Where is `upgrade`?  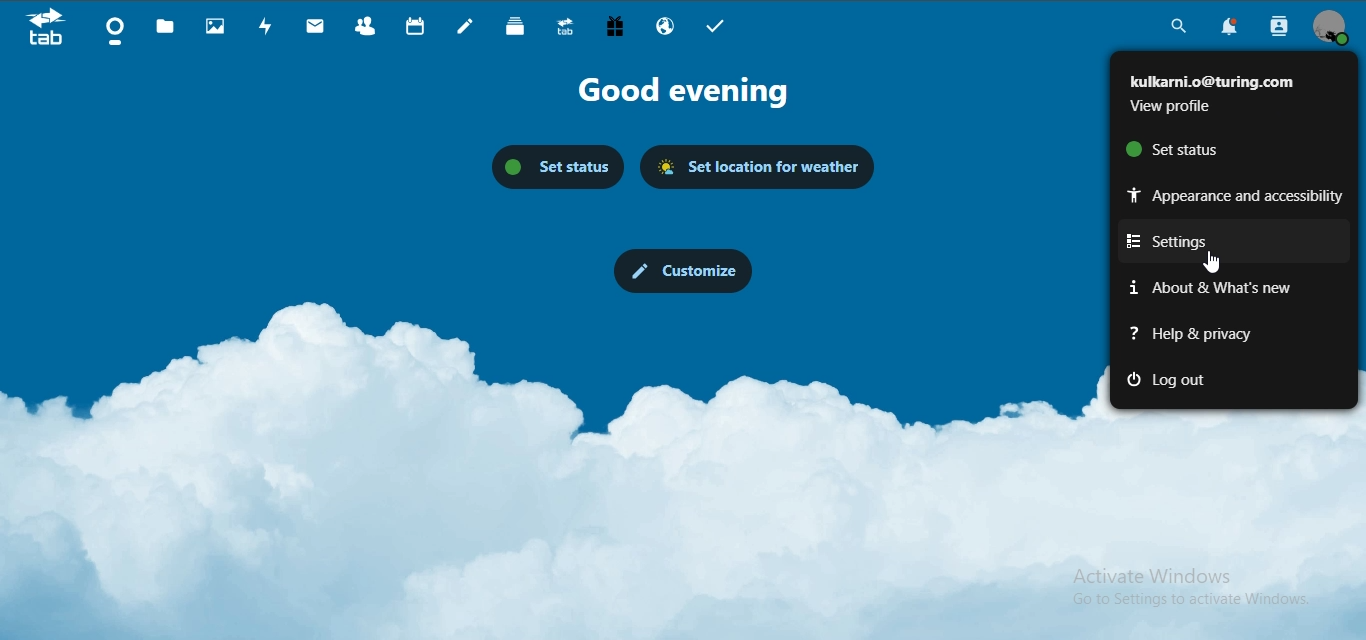 upgrade is located at coordinates (568, 29).